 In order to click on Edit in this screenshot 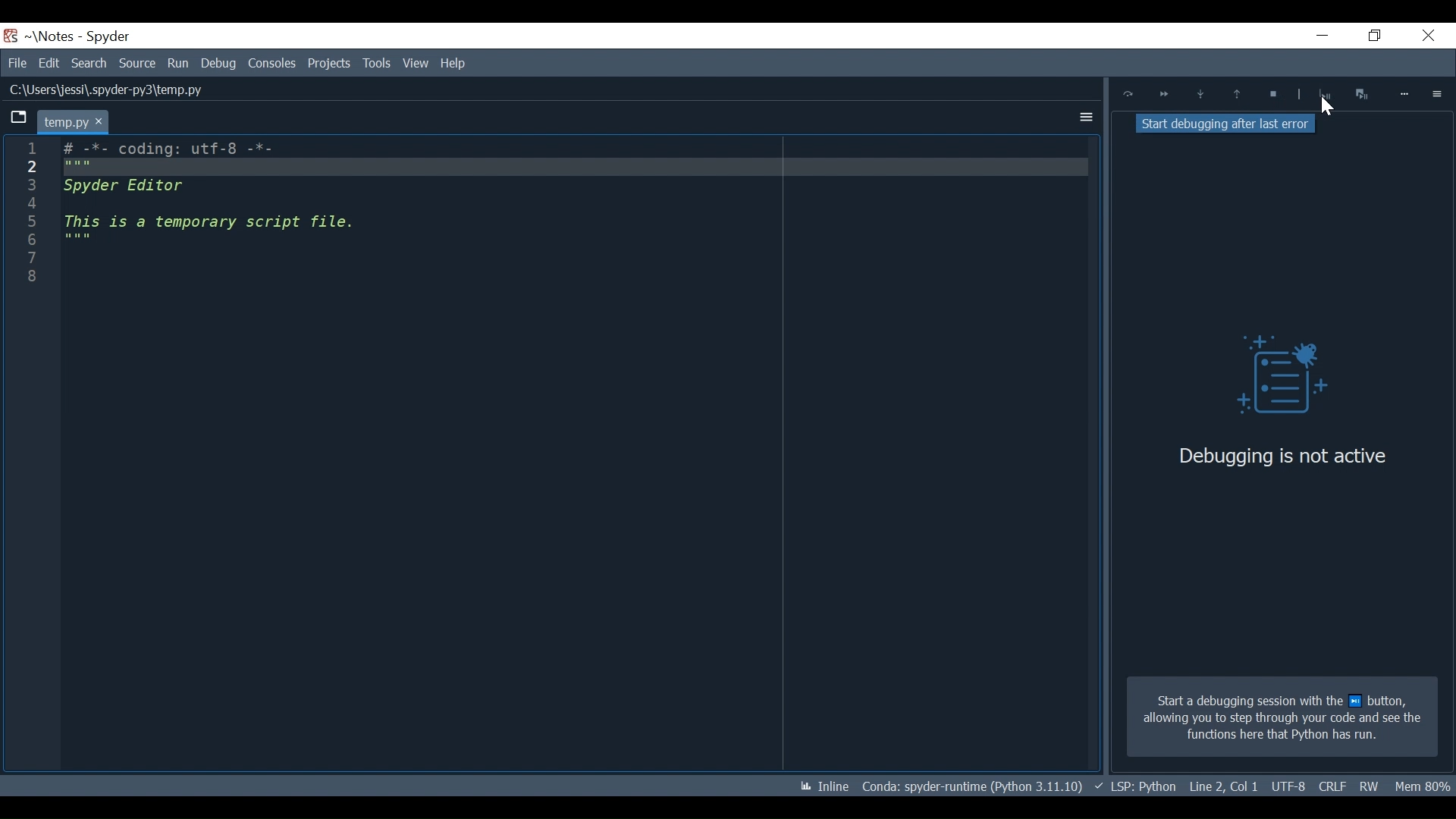, I will do `click(49, 63)`.